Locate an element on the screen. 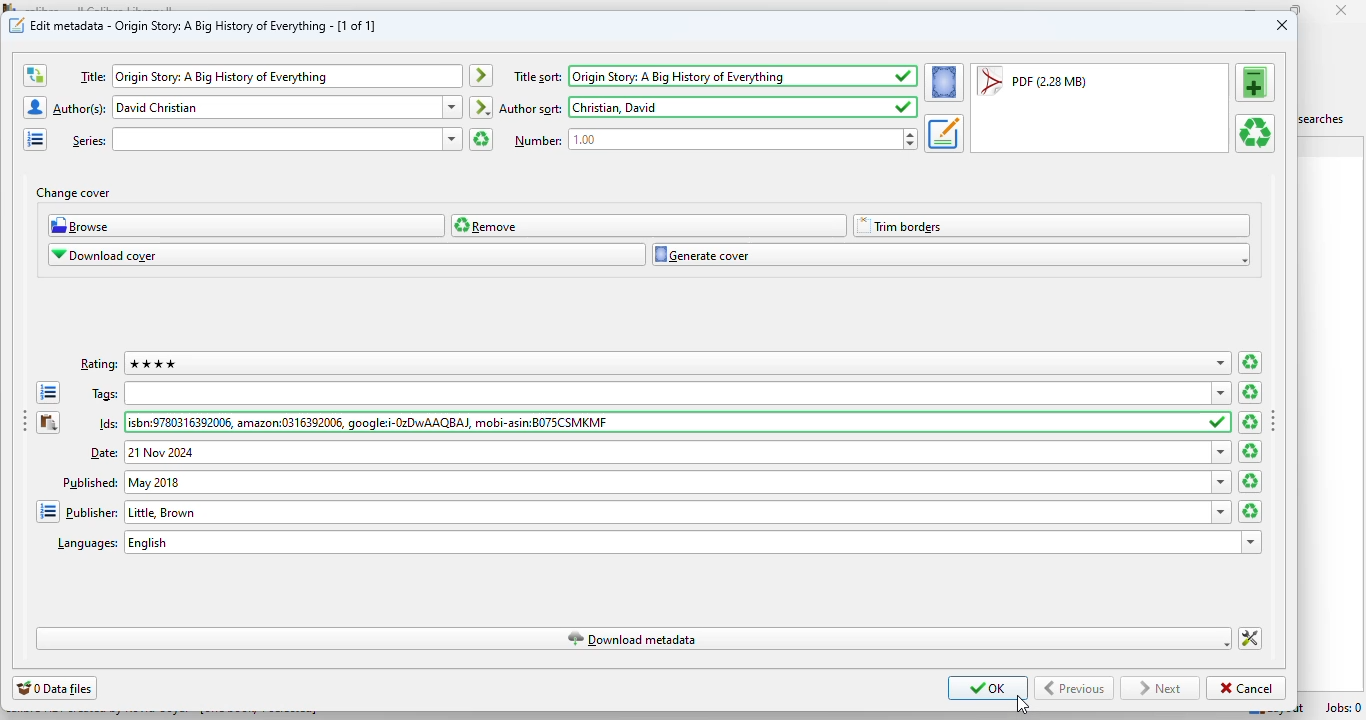 This screenshot has height=720, width=1366. close is located at coordinates (1282, 25).